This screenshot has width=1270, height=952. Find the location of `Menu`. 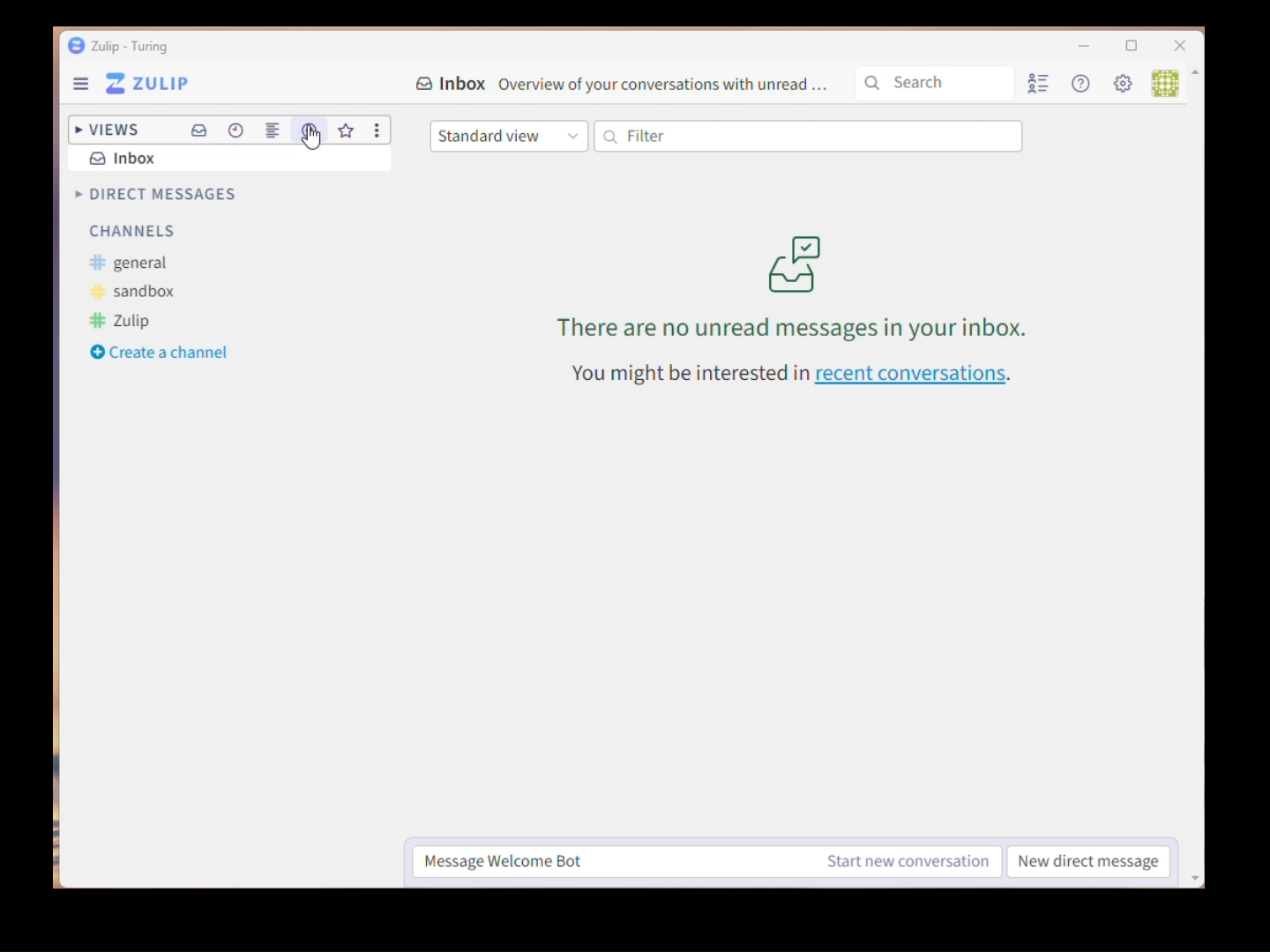

Menu is located at coordinates (137, 85).